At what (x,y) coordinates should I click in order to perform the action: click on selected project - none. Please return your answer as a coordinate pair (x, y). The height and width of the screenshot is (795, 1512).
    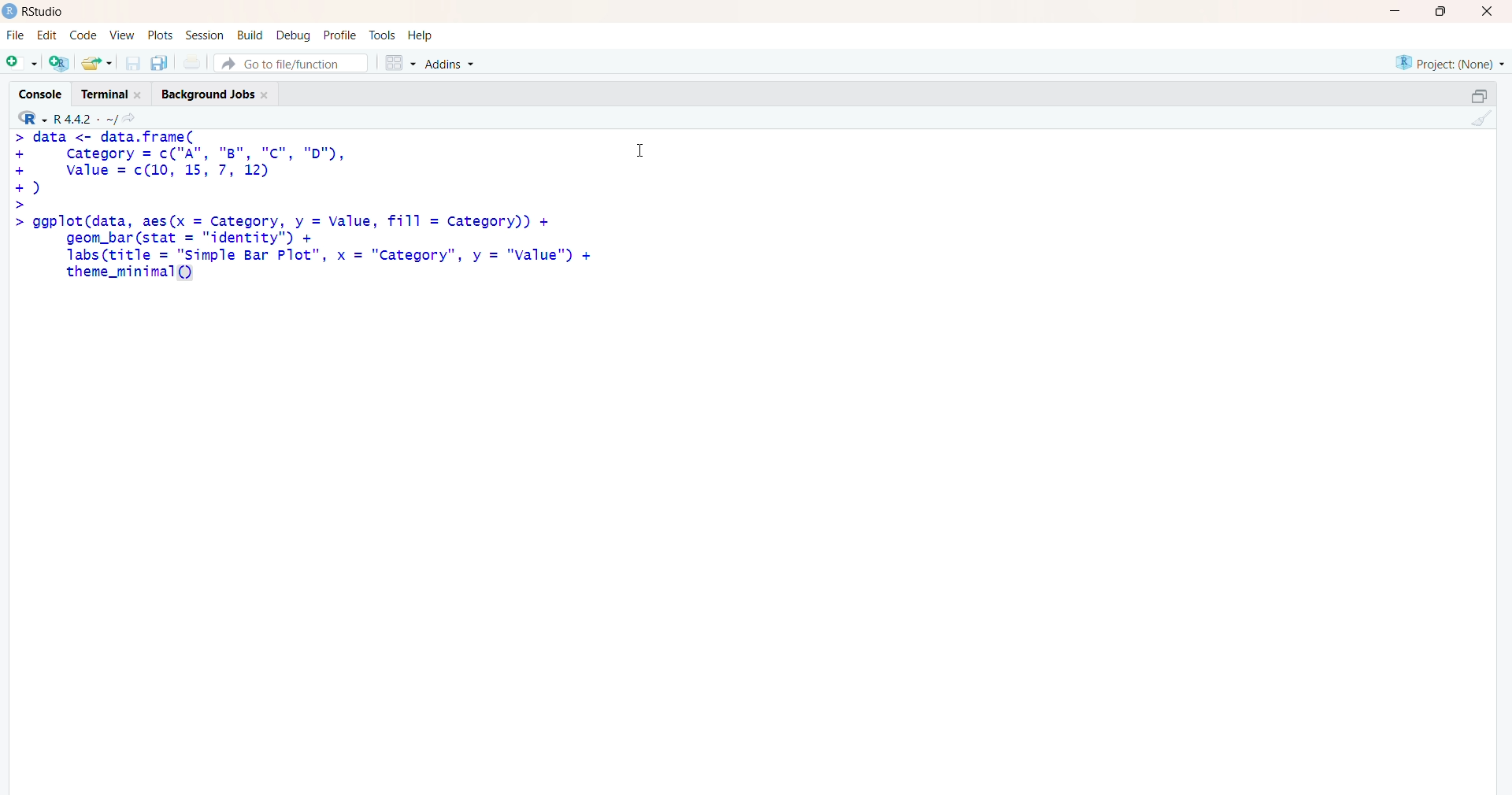
    Looking at the image, I should click on (1452, 62).